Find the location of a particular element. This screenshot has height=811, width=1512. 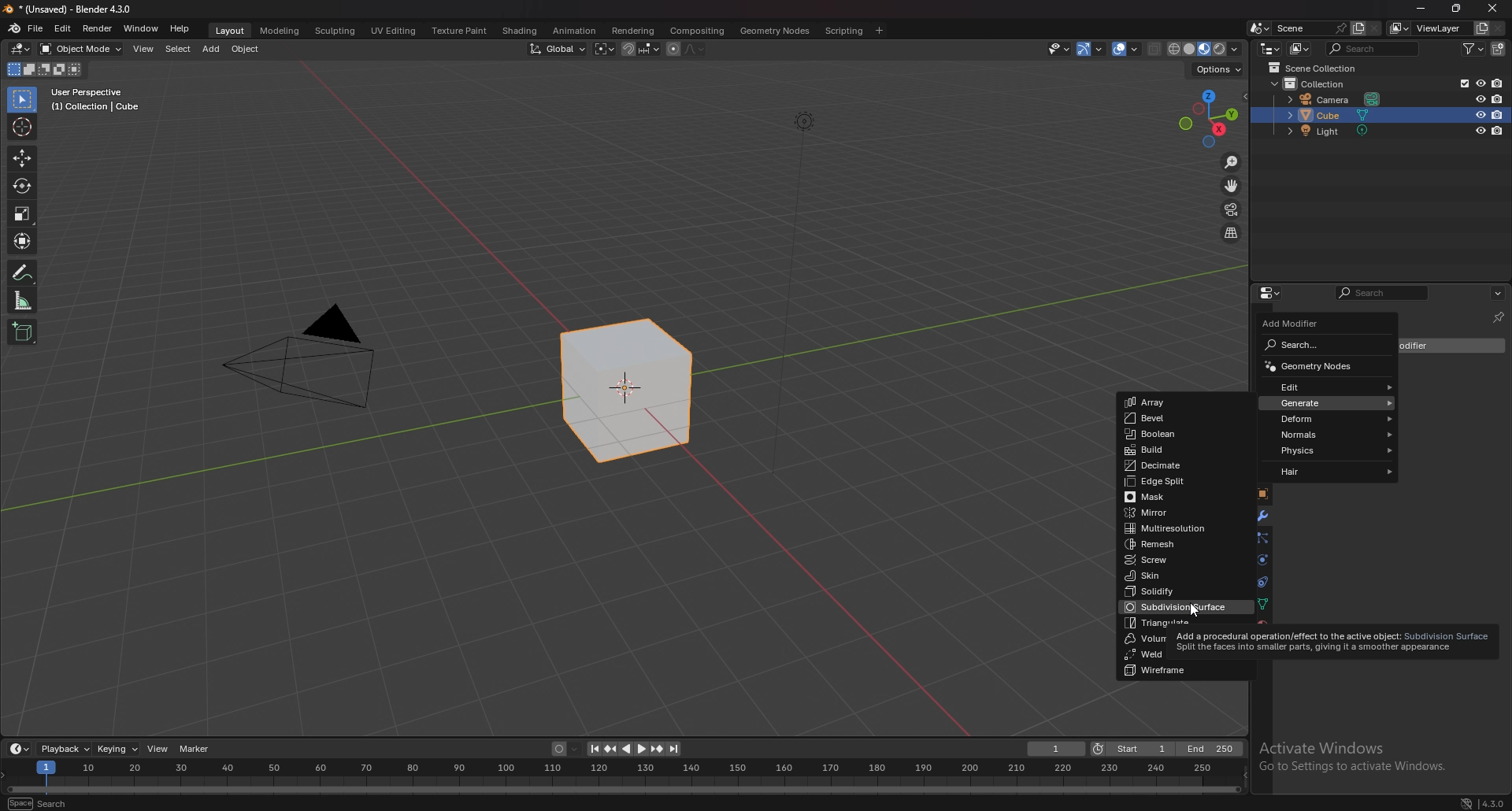

data is located at coordinates (1261, 604).